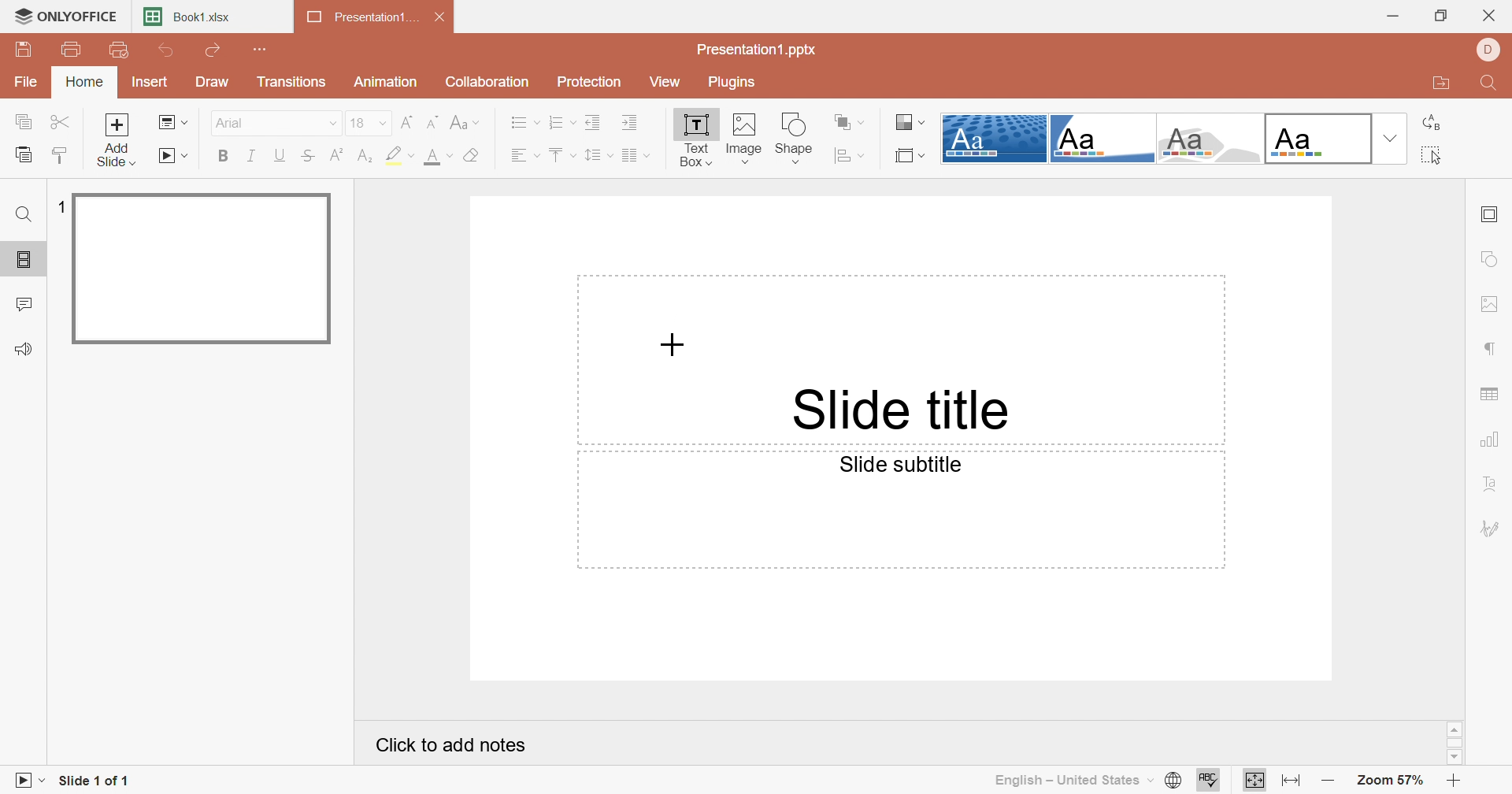 The image size is (1512, 794). What do you see at coordinates (117, 49) in the screenshot?
I see `Quick print` at bounding box center [117, 49].